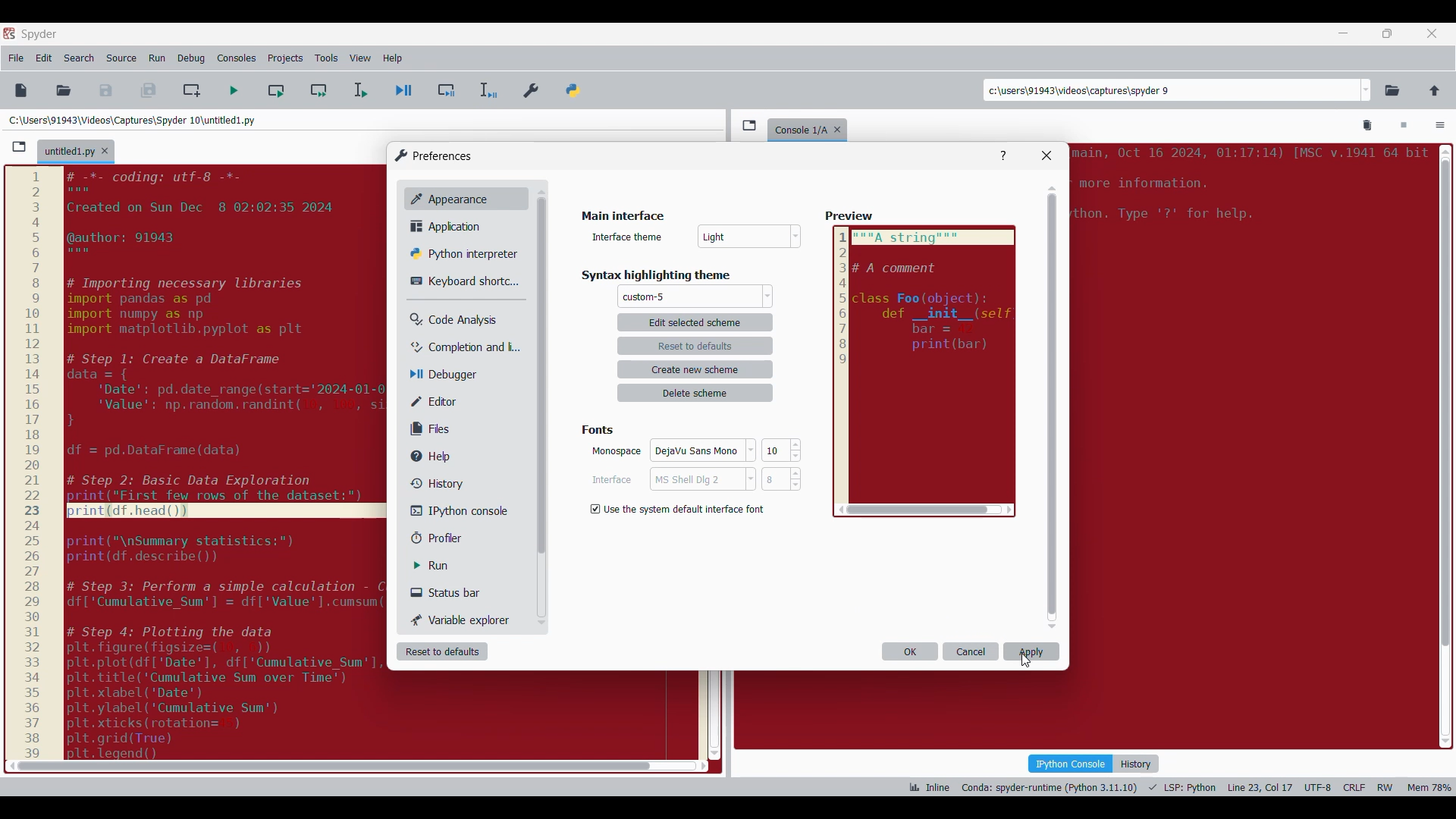 The width and height of the screenshot is (1456, 819). Describe the element at coordinates (540, 380) in the screenshot. I see `` at that location.